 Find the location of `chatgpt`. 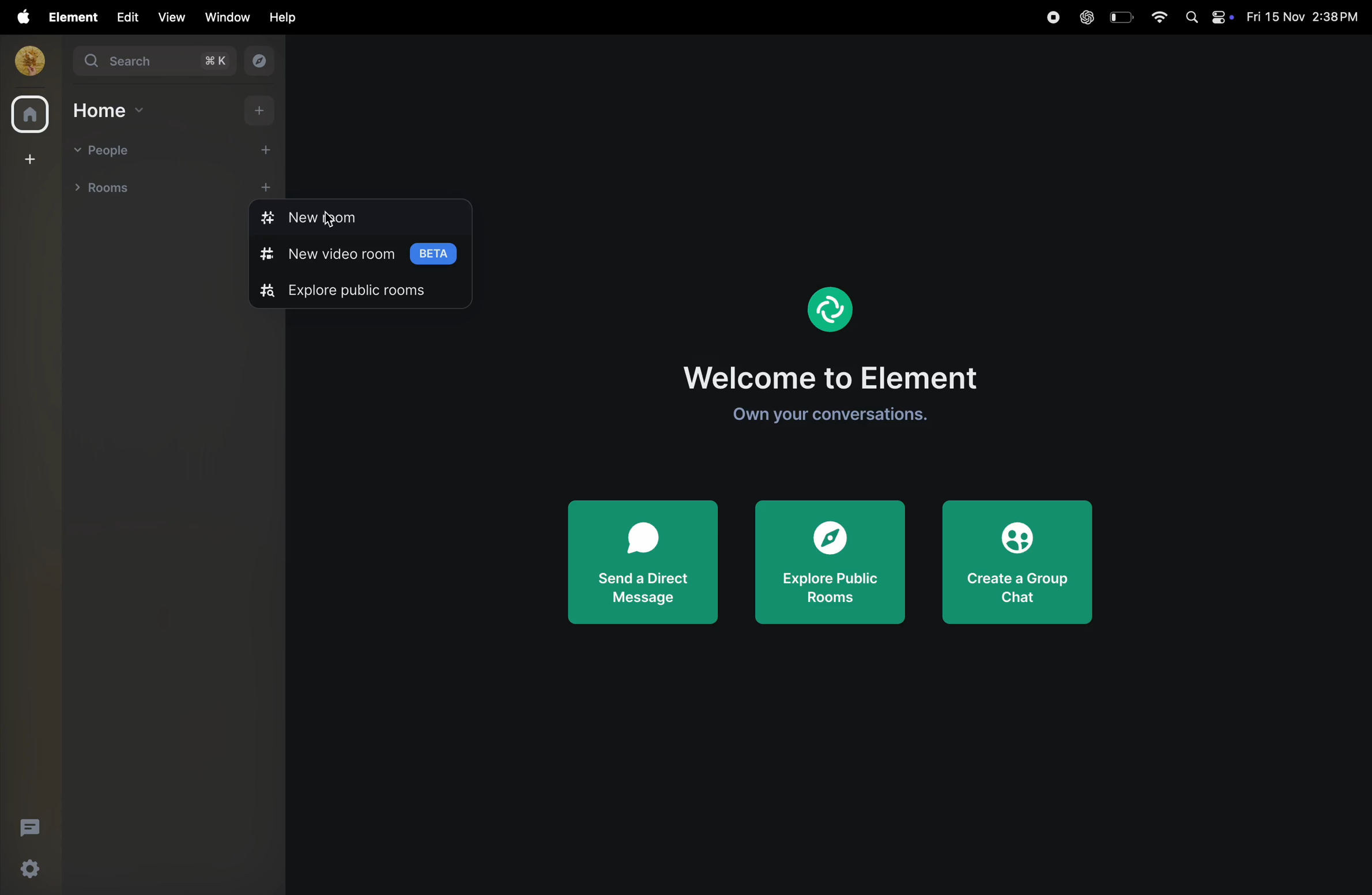

chatgpt is located at coordinates (1086, 18).